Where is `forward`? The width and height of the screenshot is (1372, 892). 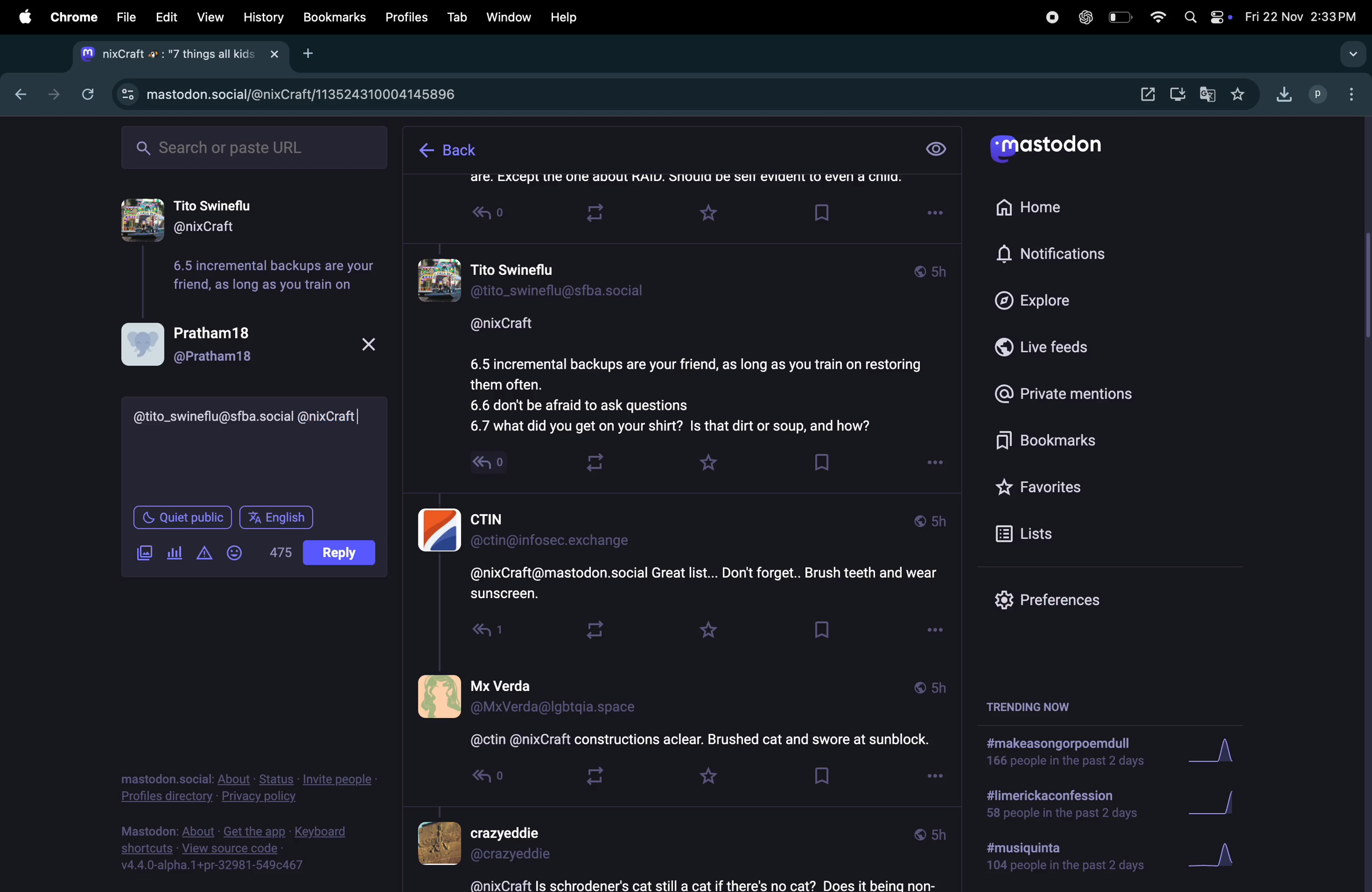 forward is located at coordinates (52, 93).